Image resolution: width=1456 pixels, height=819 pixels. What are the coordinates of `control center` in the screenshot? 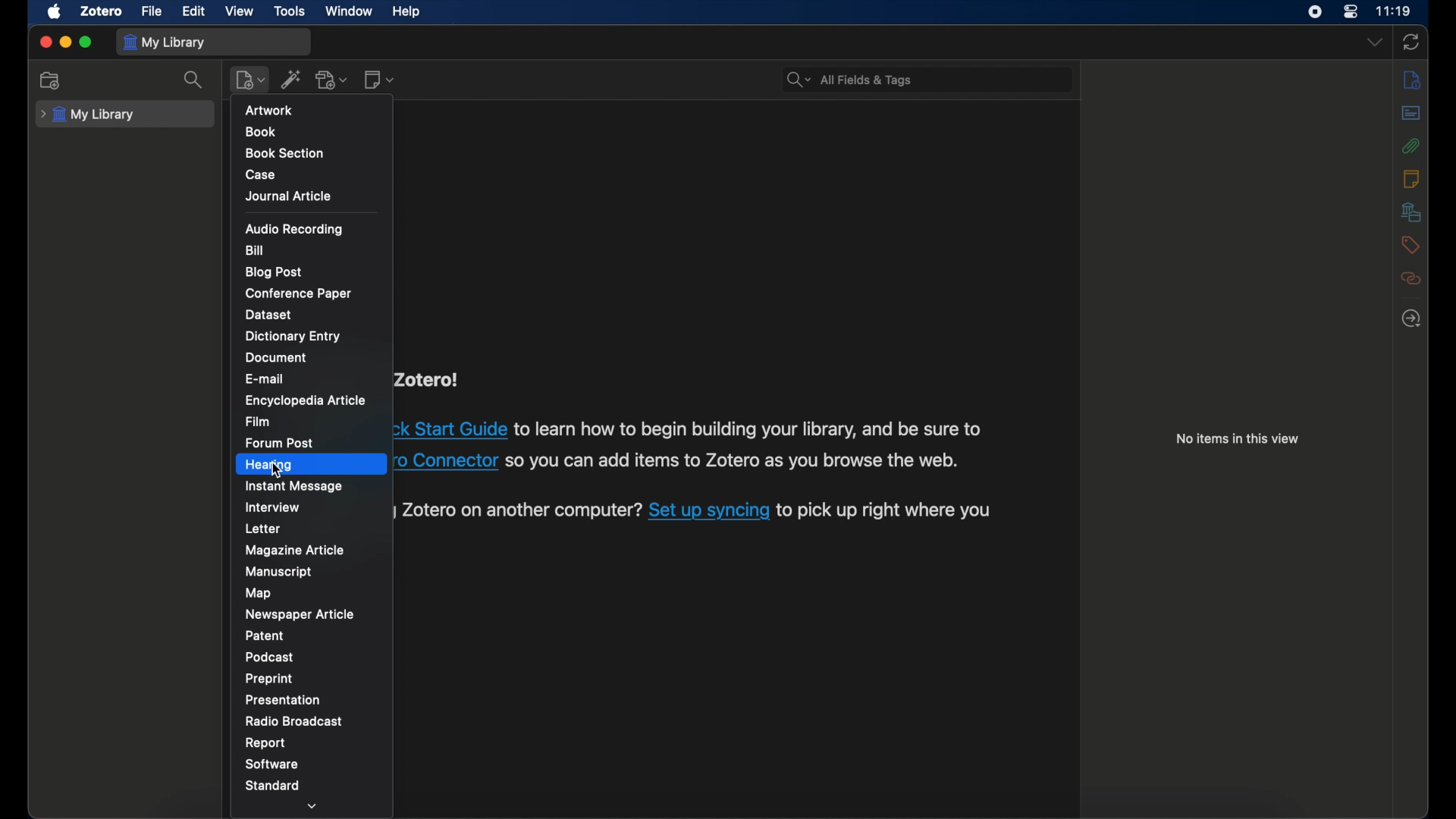 It's located at (1350, 11).